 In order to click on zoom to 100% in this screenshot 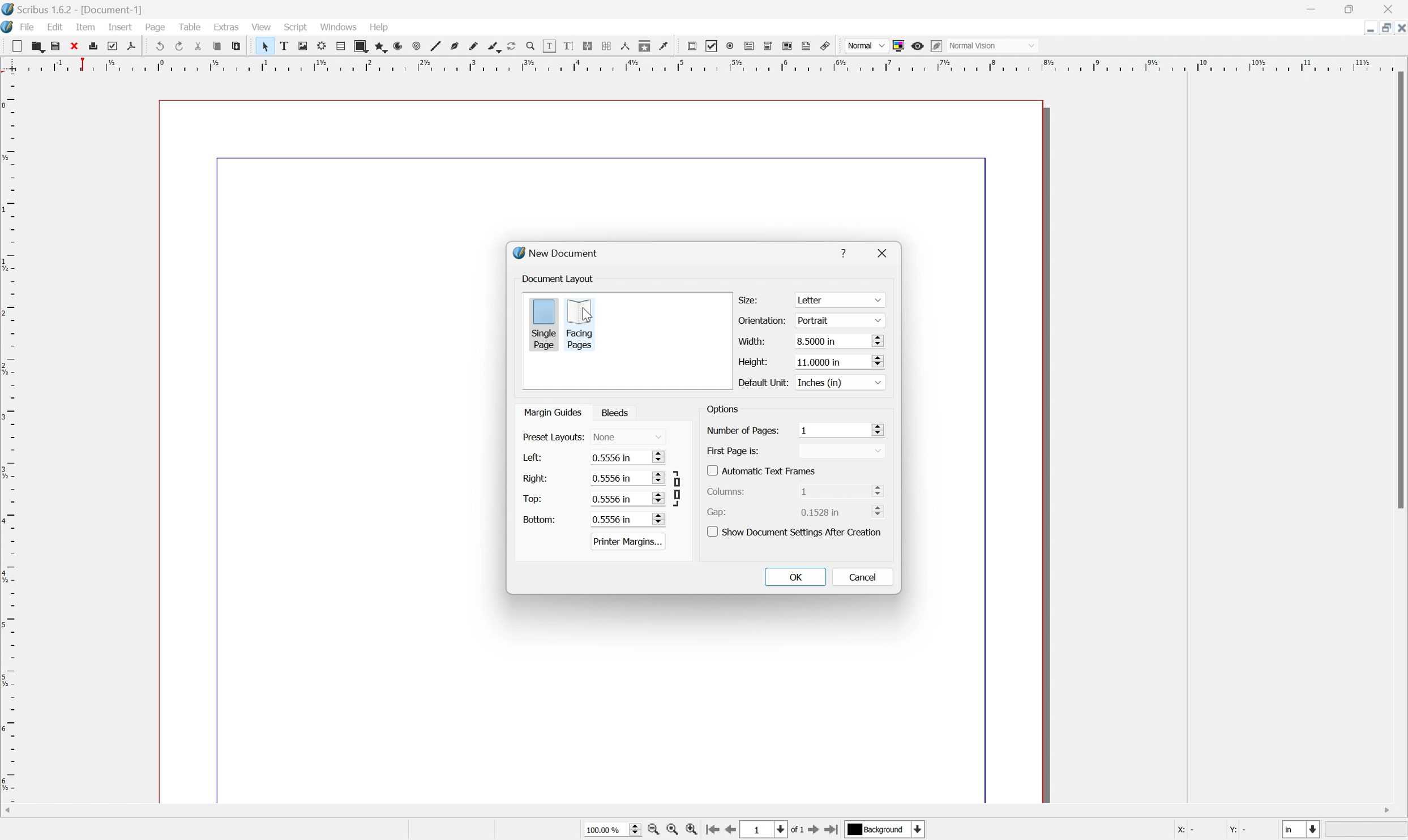, I will do `click(674, 830)`.